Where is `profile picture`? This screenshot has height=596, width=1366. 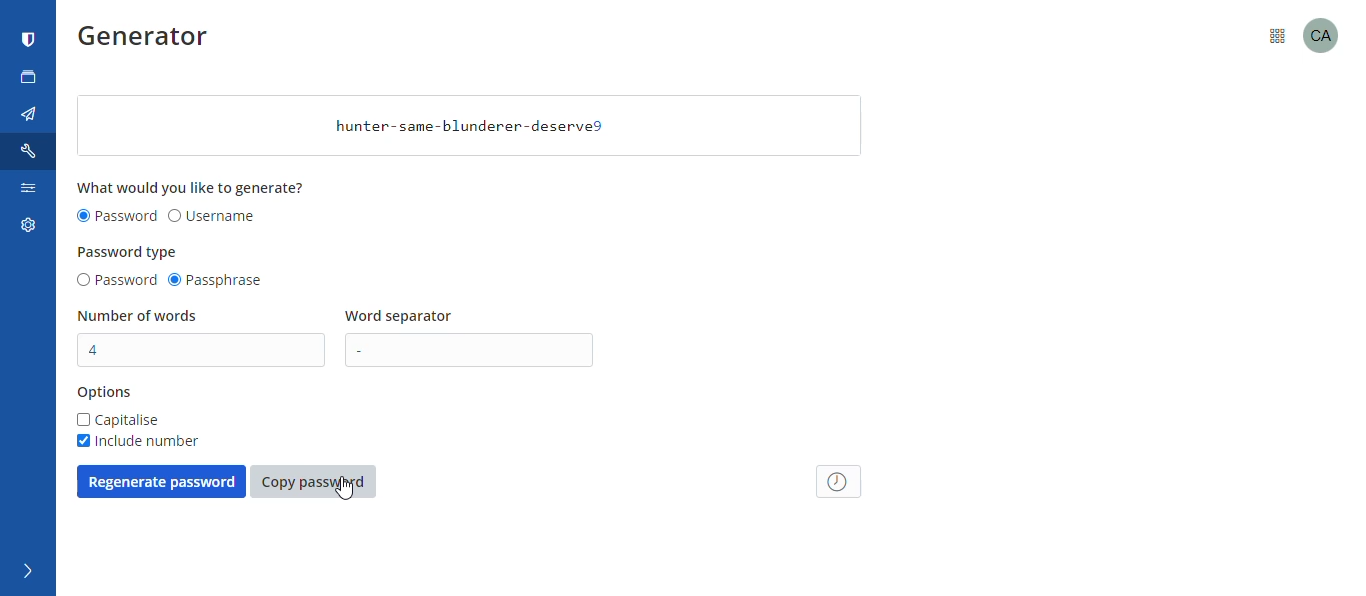 profile picture is located at coordinates (1328, 34).